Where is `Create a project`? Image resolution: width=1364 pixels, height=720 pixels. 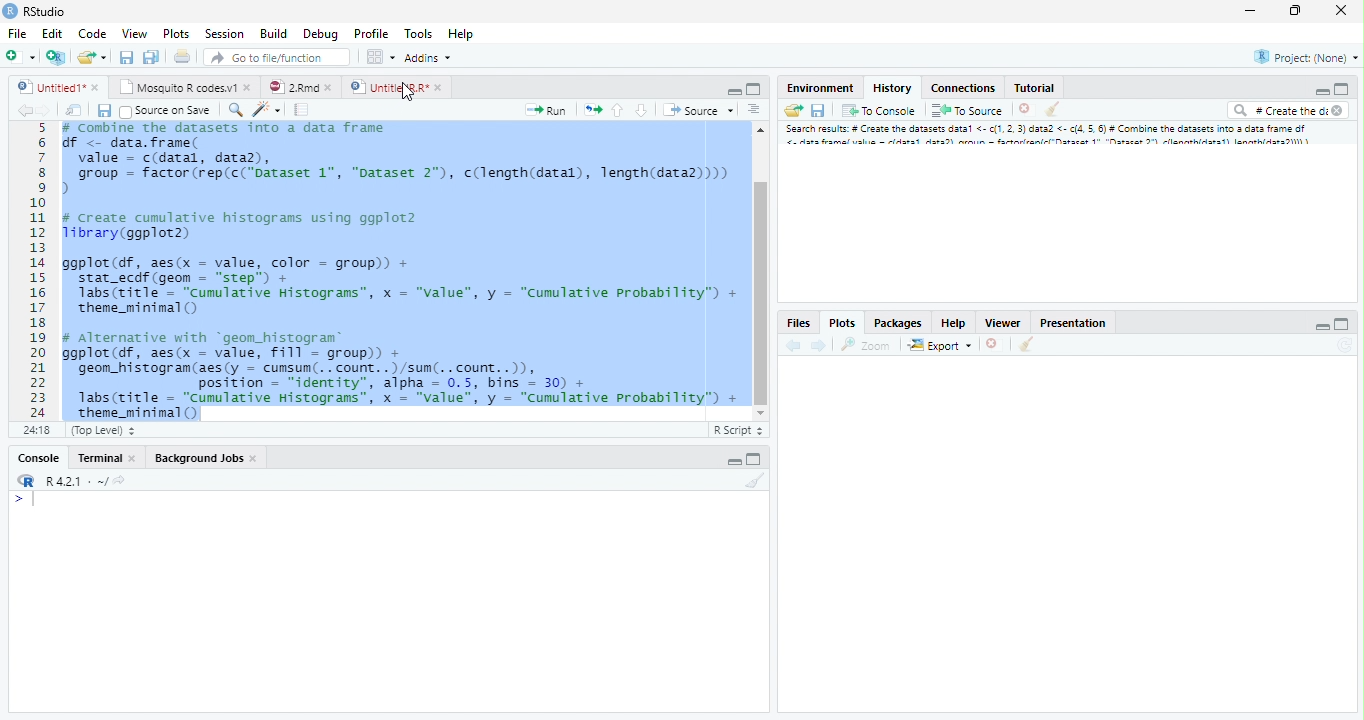 Create a project is located at coordinates (56, 55).